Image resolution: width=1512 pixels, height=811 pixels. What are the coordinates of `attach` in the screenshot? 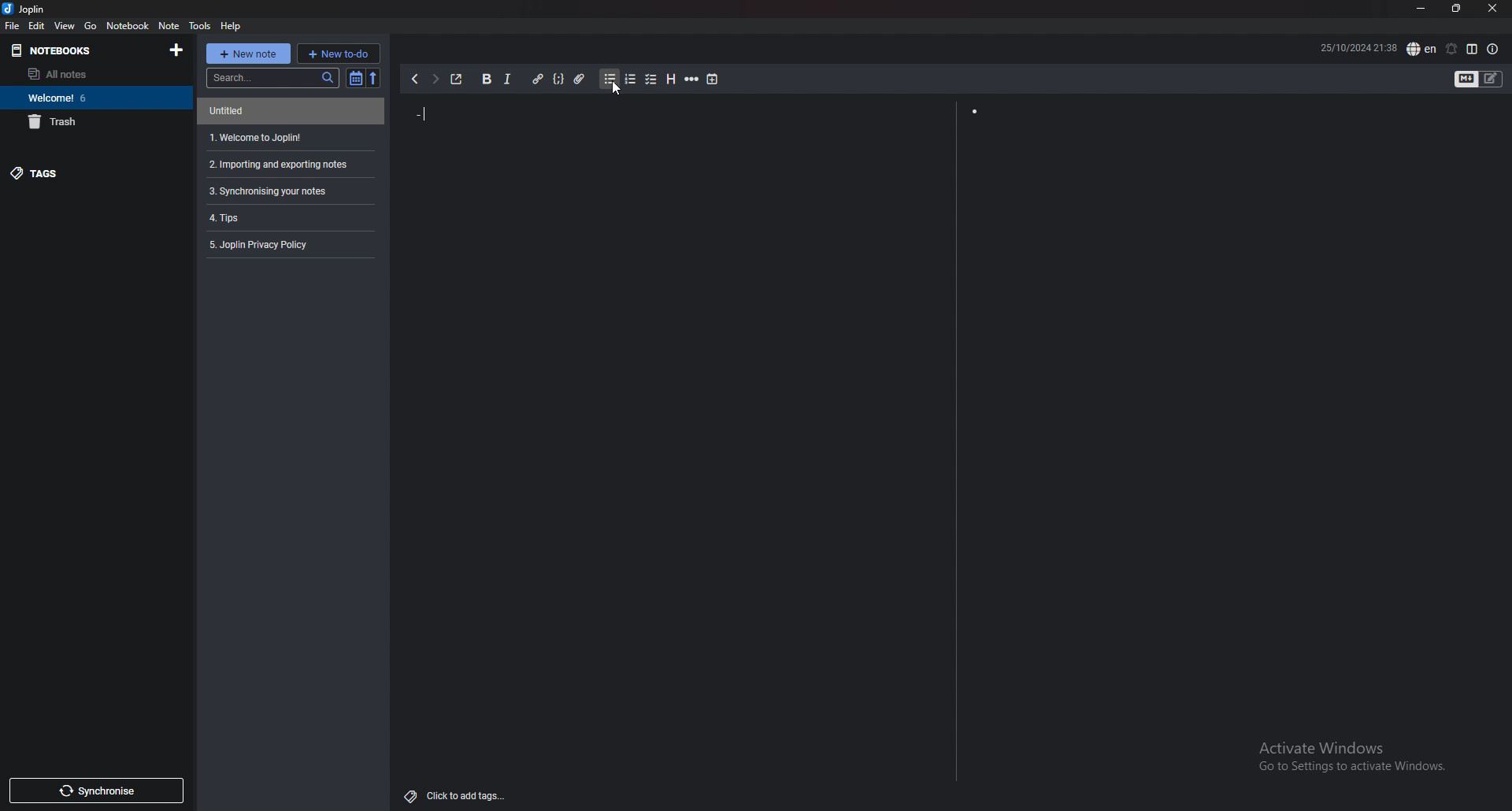 It's located at (576, 80).